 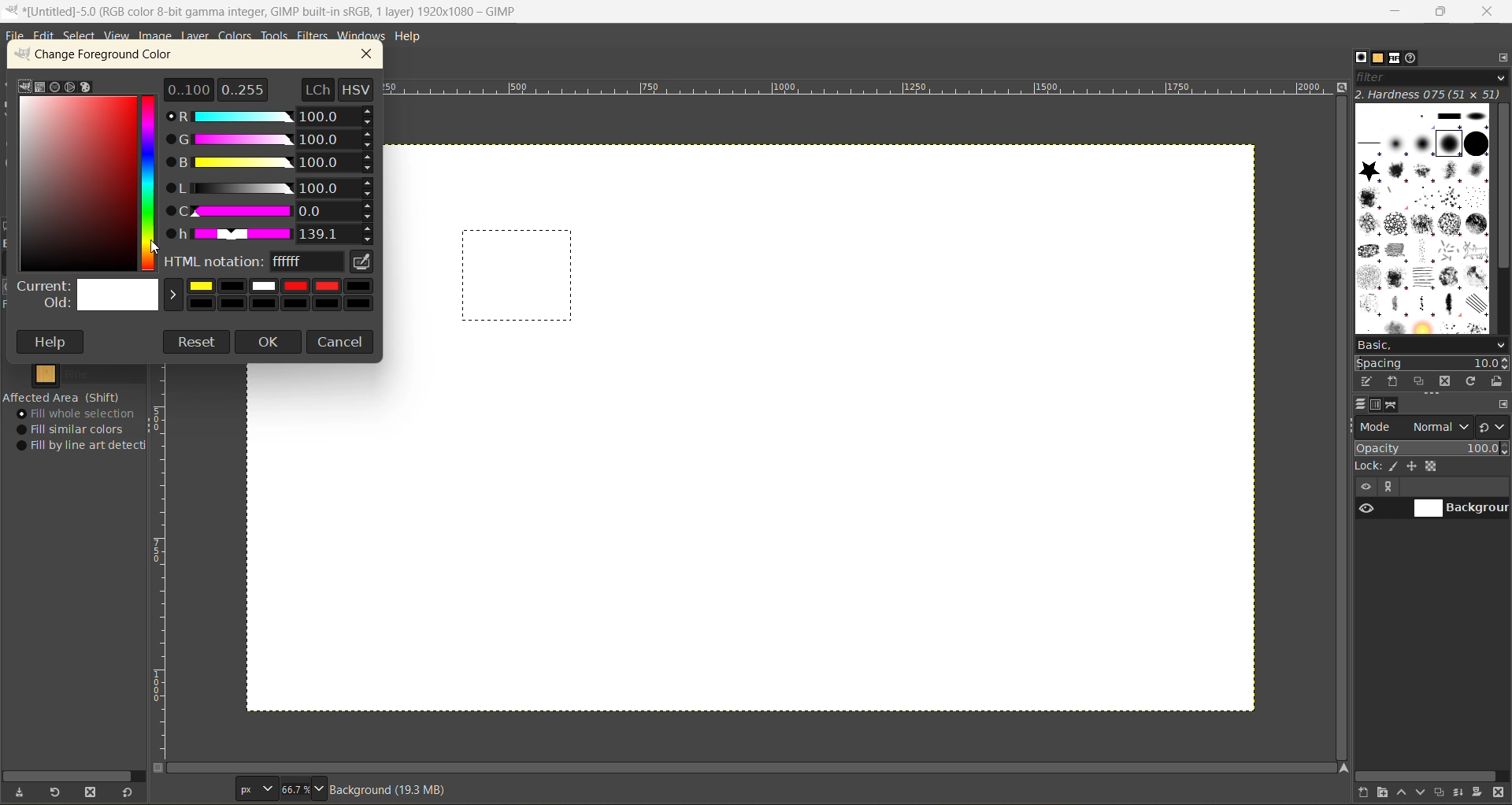 I want to click on filters, so click(x=313, y=36).